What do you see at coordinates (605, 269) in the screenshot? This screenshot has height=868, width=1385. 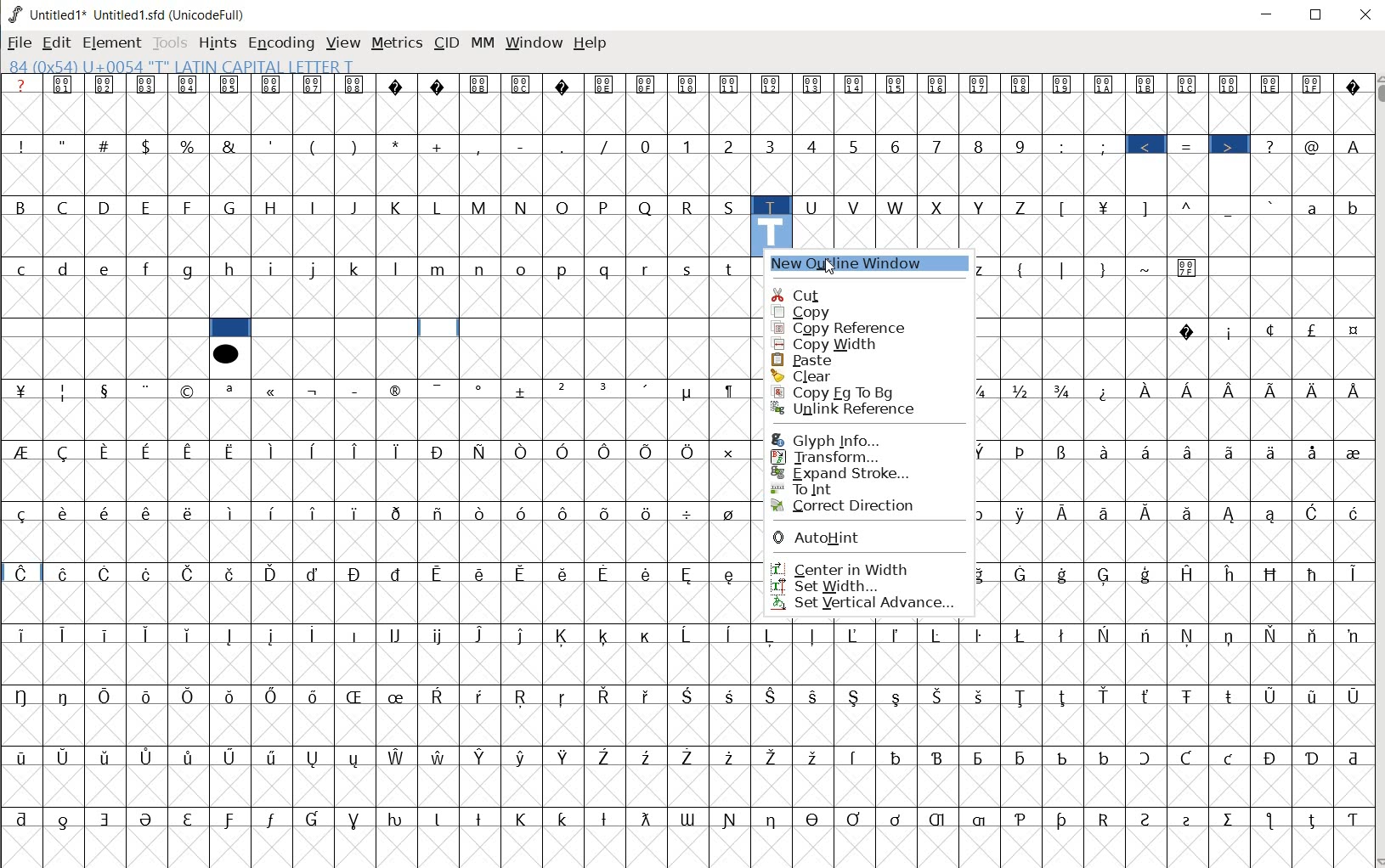 I see `q` at bounding box center [605, 269].